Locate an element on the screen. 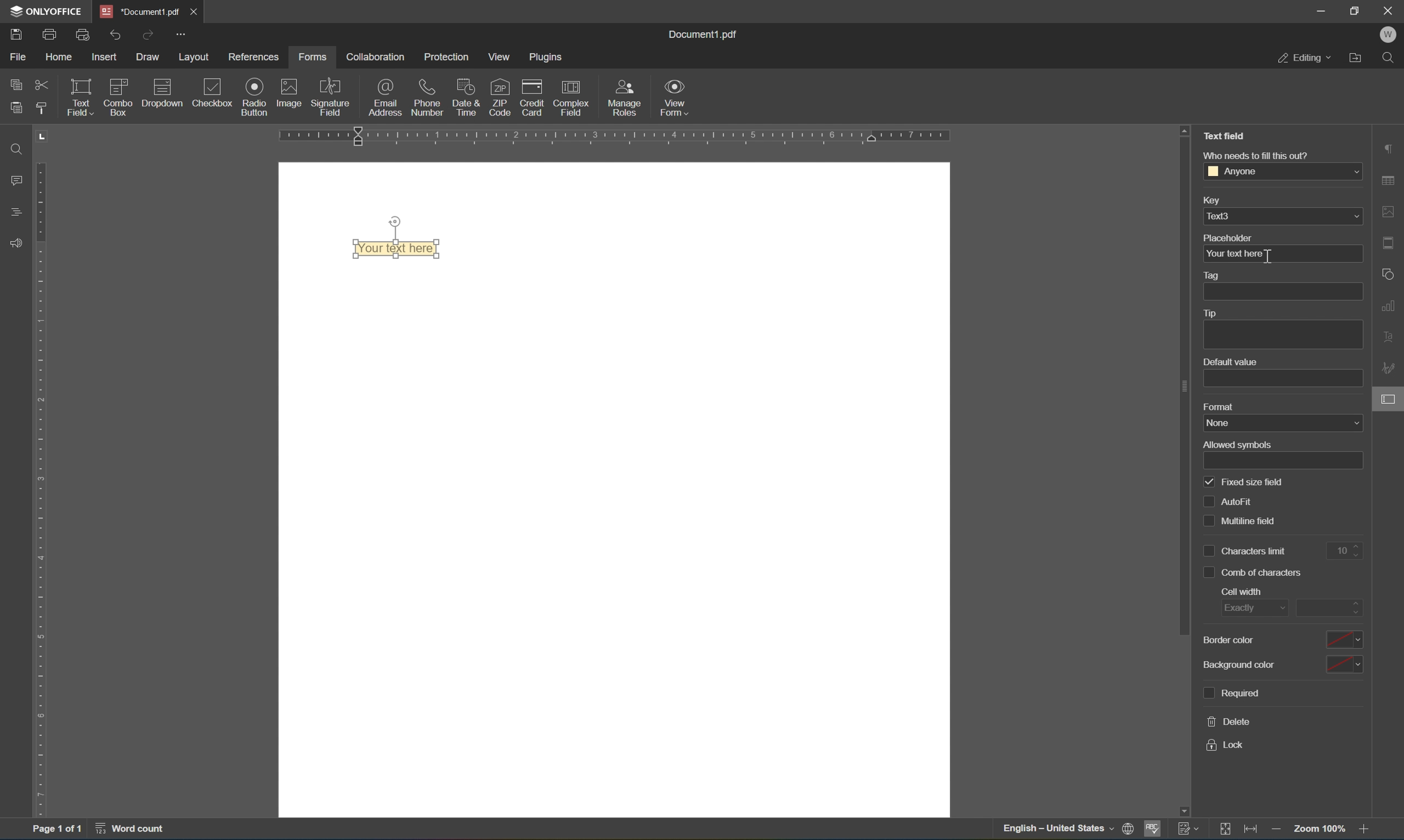 This screenshot has width=1404, height=840. name is located at coordinates (1281, 422).